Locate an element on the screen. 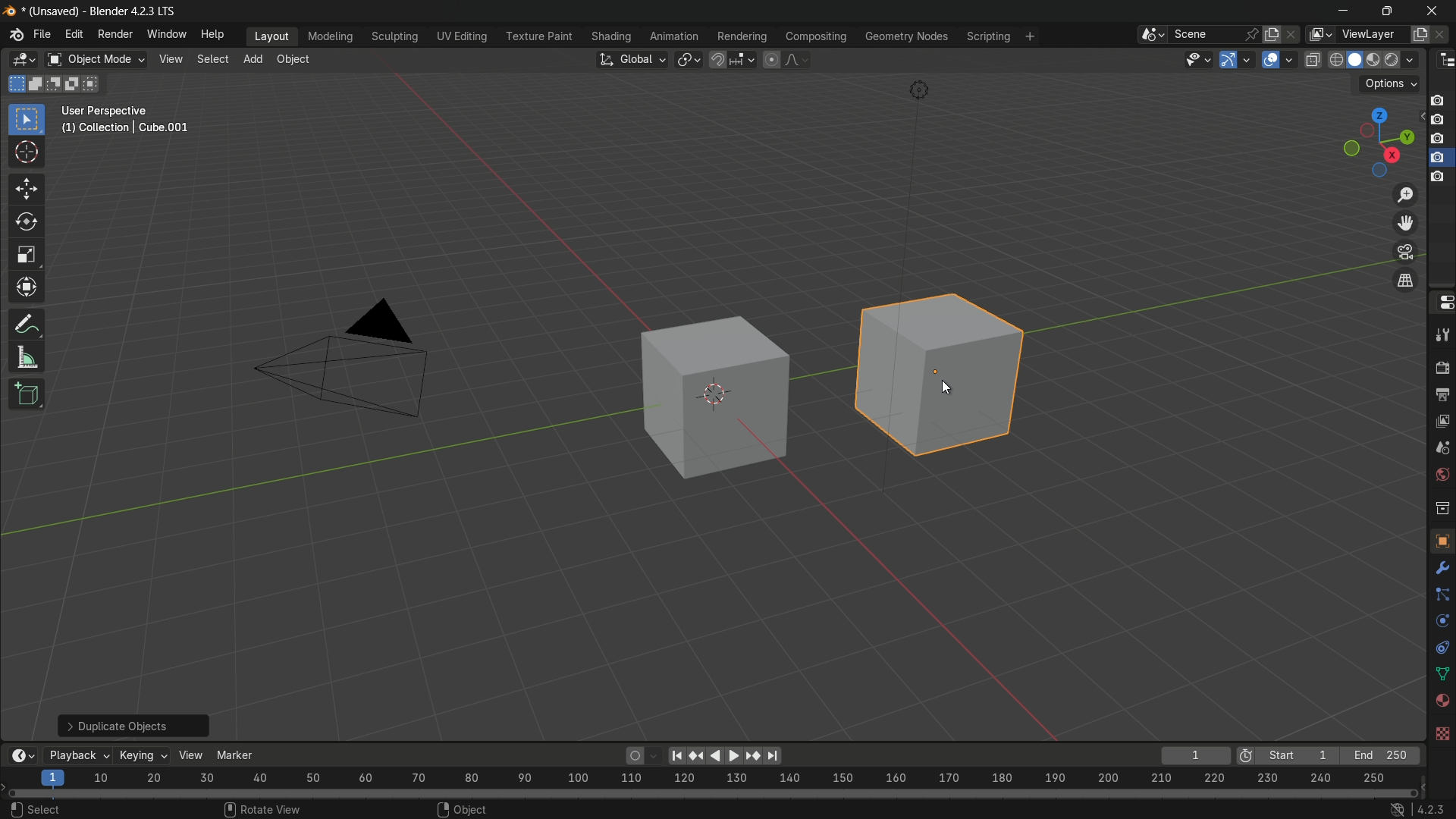 The image size is (1456, 819). annotate is located at coordinates (23, 325).